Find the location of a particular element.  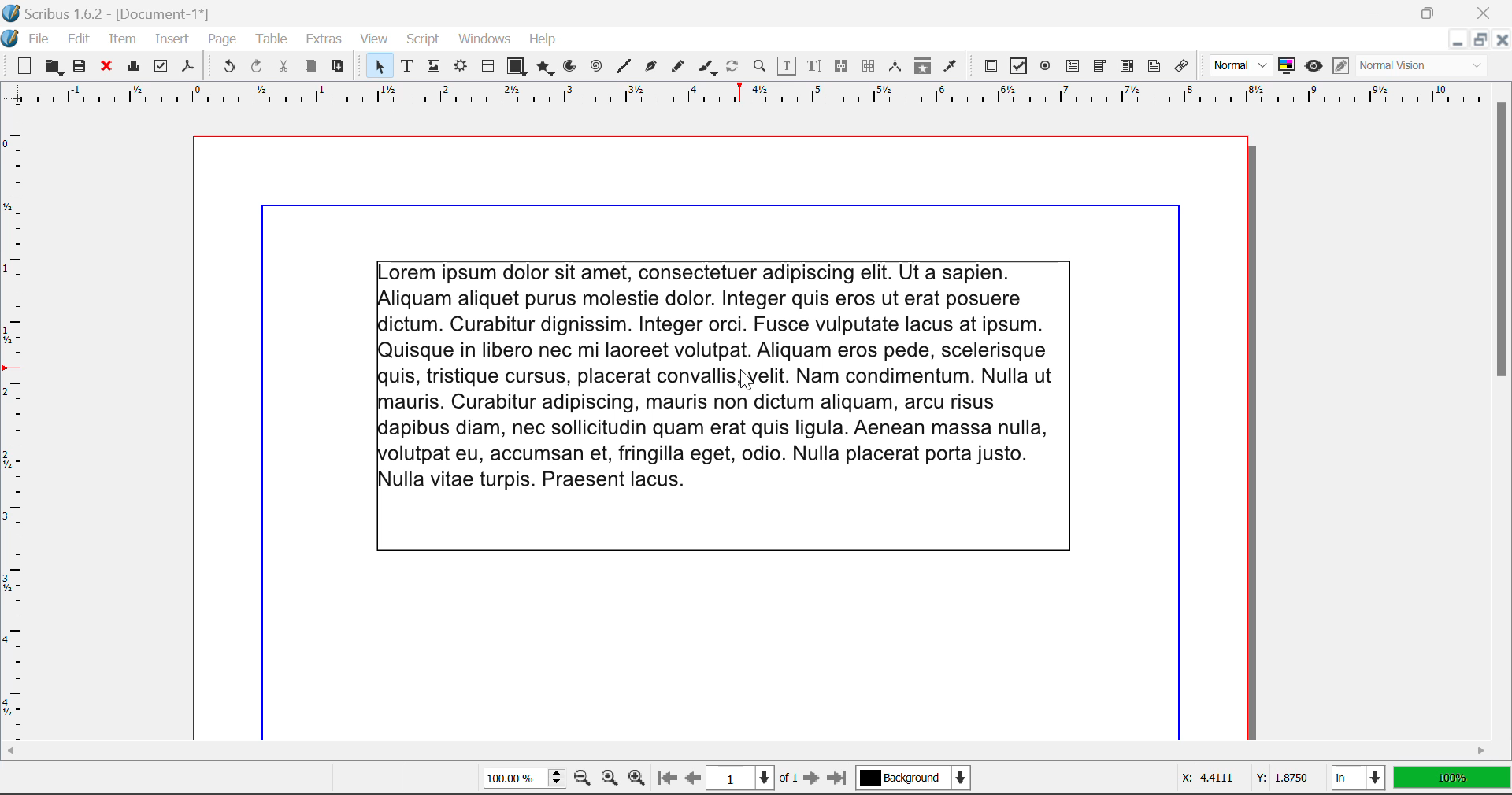

Redo is located at coordinates (257, 68).